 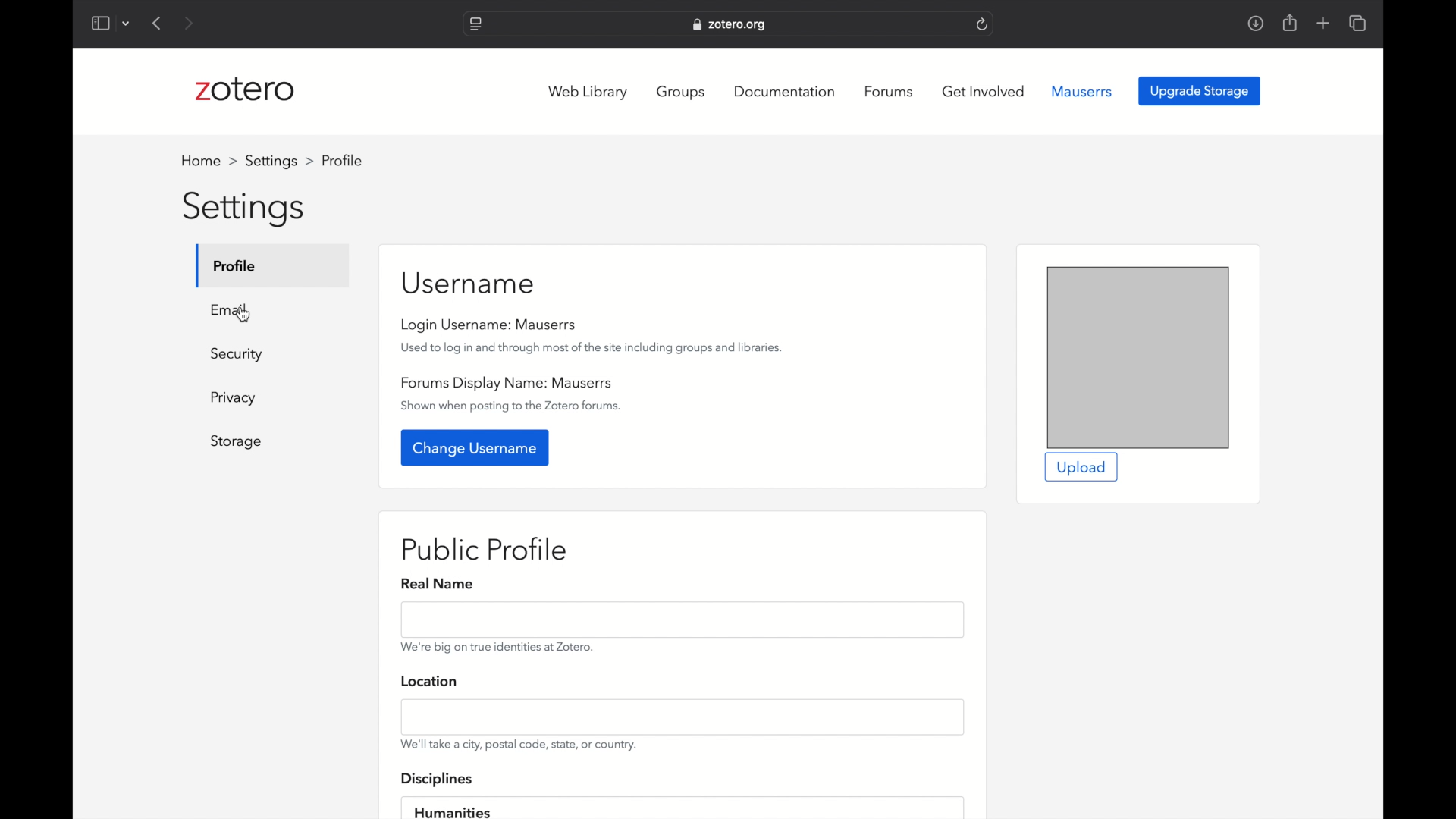 What do you see at coordinates (476, 447) in the screenshot?
I see `change username` at bounding box center [476, 447].